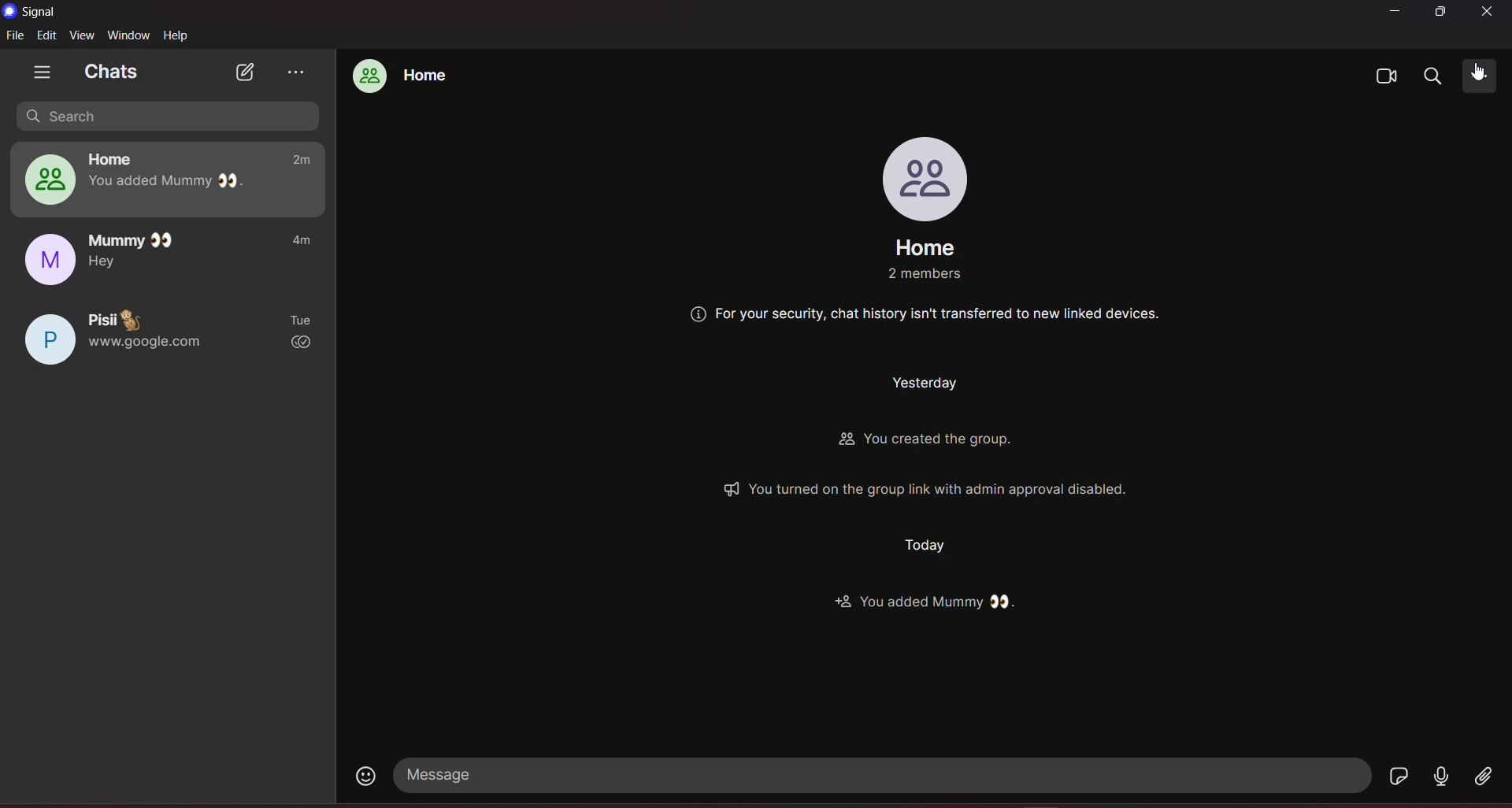  I want to click on file share, so click(1482, 776).